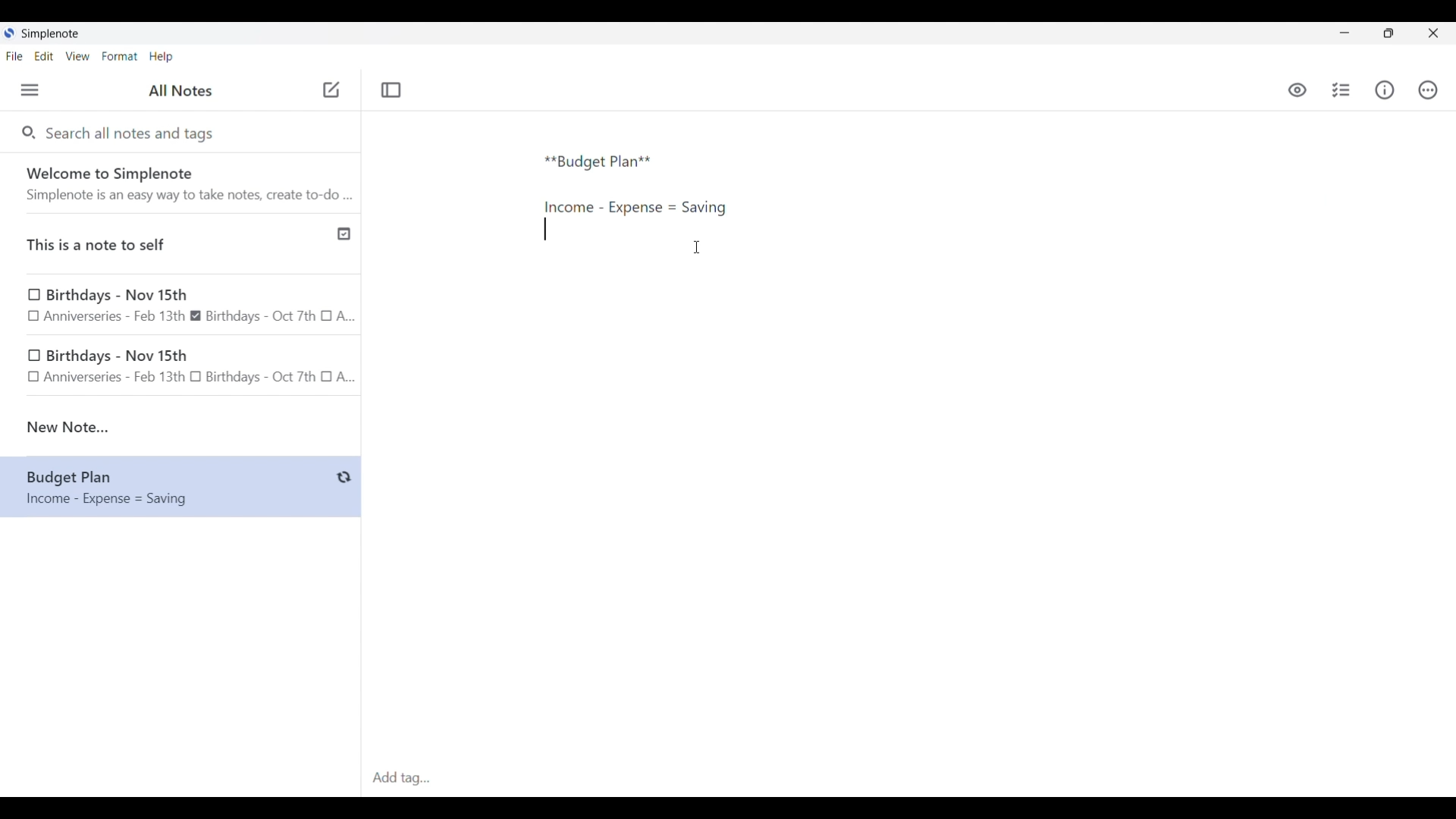  What do you see at coordinates (1342, 90) in the screenshot?
I see `Insert checklist` at bounding box center [1342, 90].